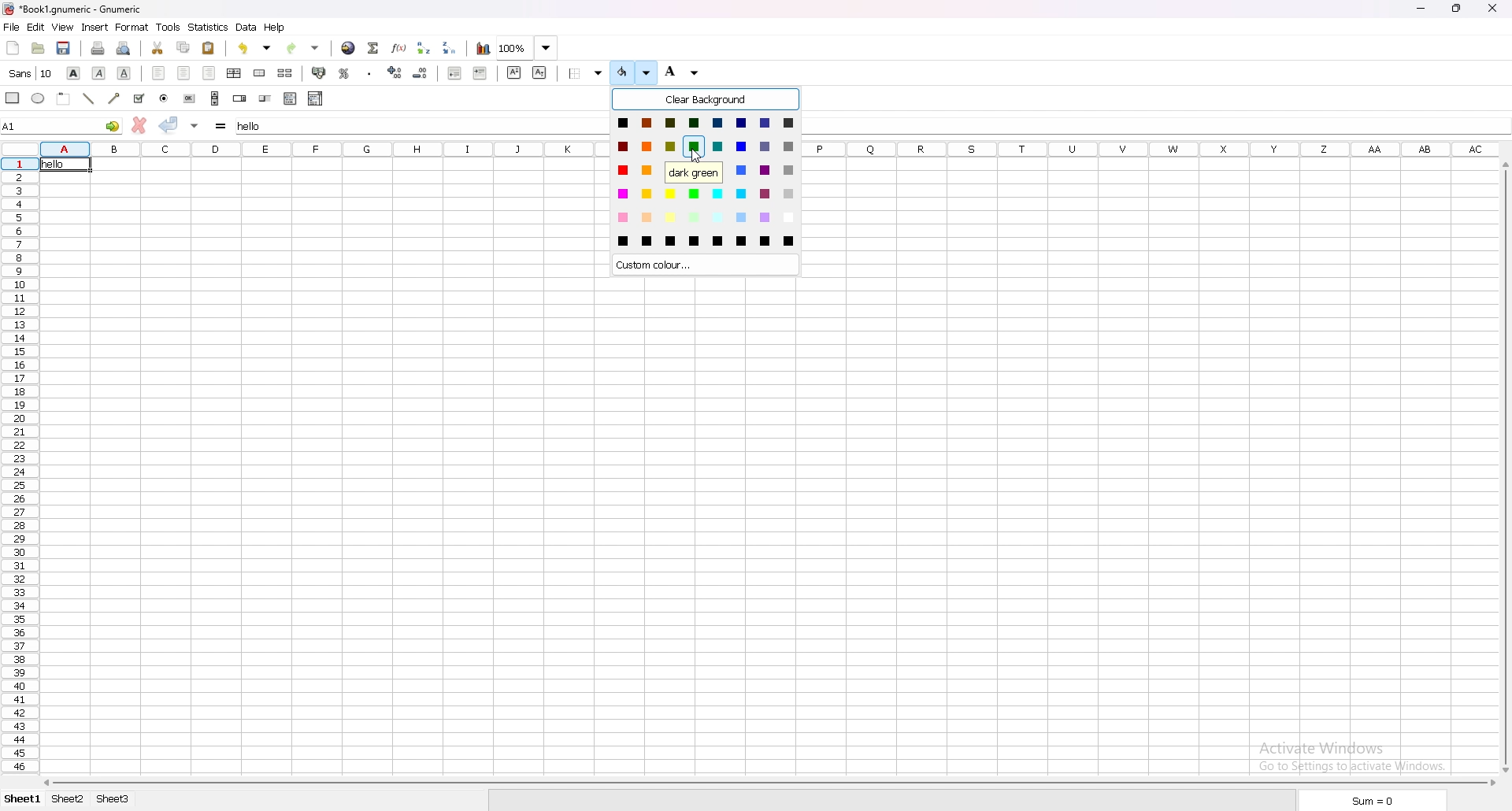 This screenshot has height=811, width=1512. What do you see at coordinates (302, 48) in the screenshot?
I see `redo` at bounding box center [302, 48].